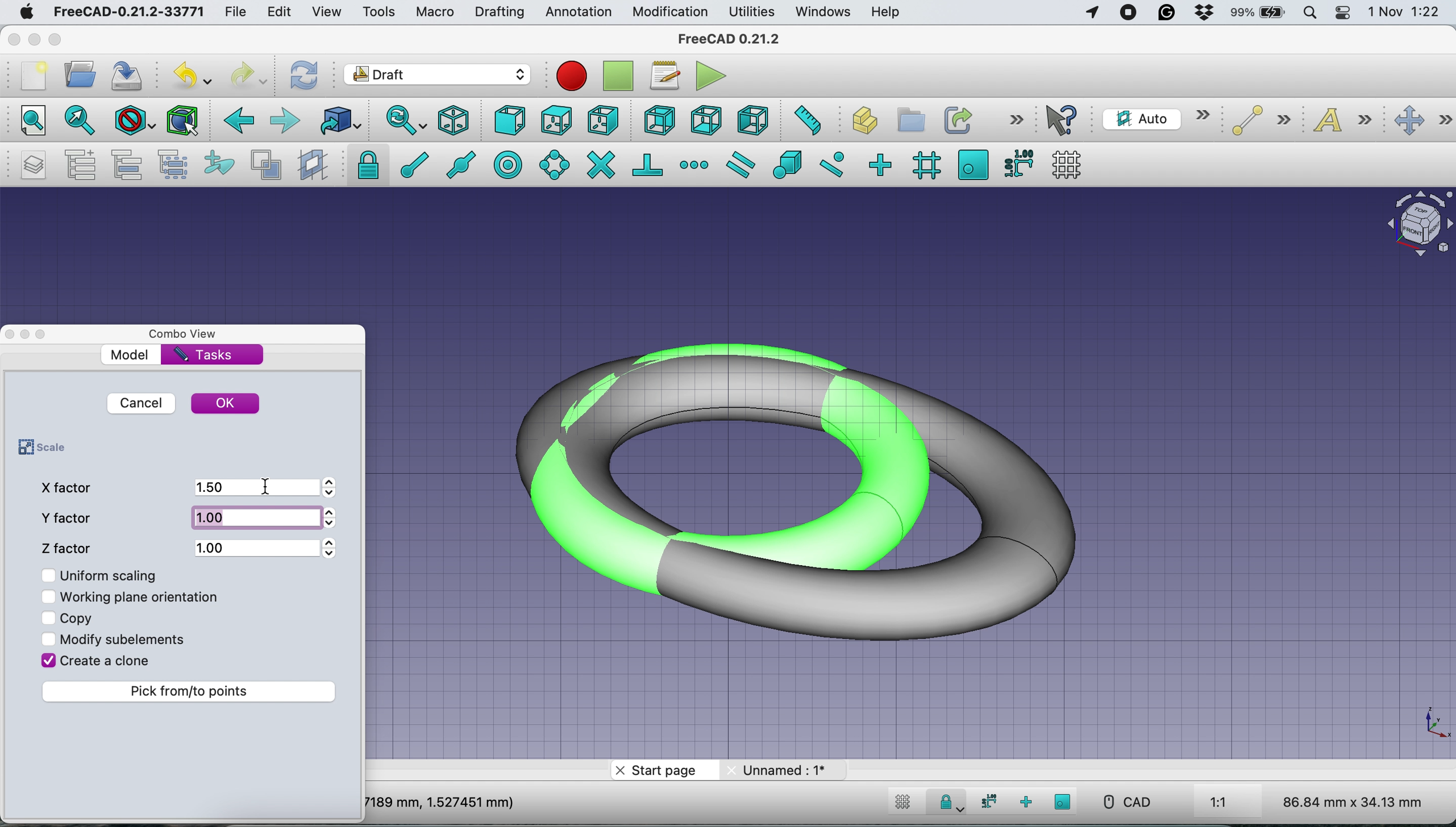  I want to click on fit all selection, so click(77, 122).